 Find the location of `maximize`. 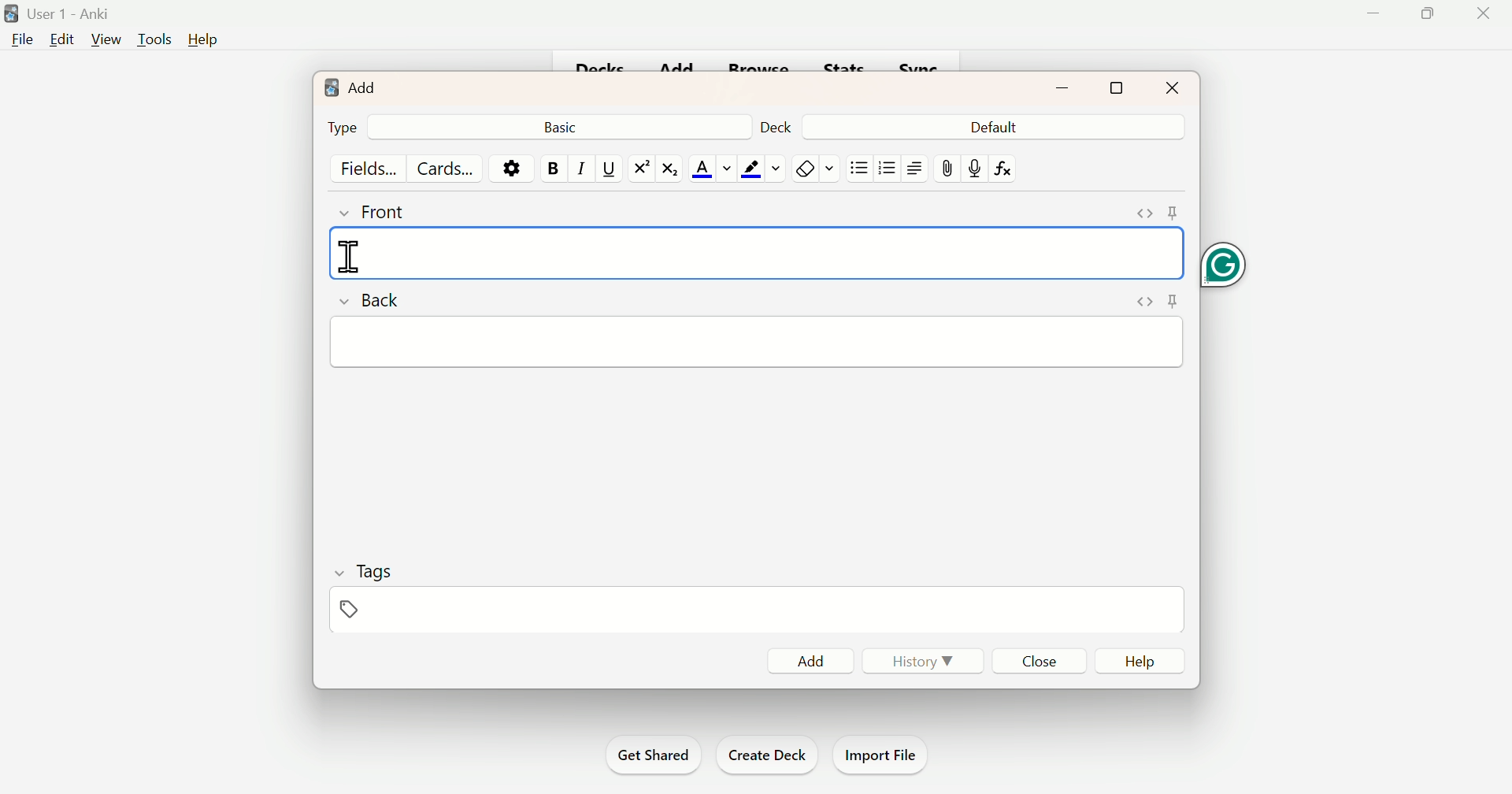

maximize is located at coordinates (1115, 89).